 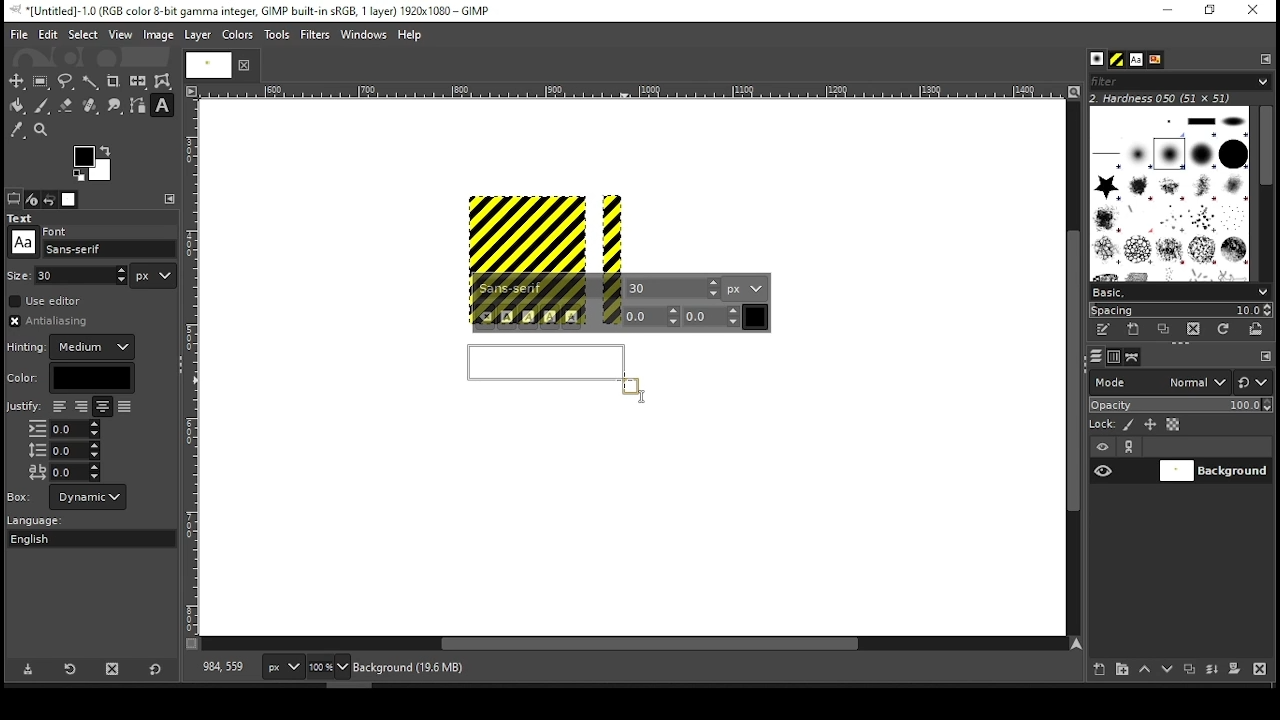 I want to click on restore, so click(x=1212, y=11).